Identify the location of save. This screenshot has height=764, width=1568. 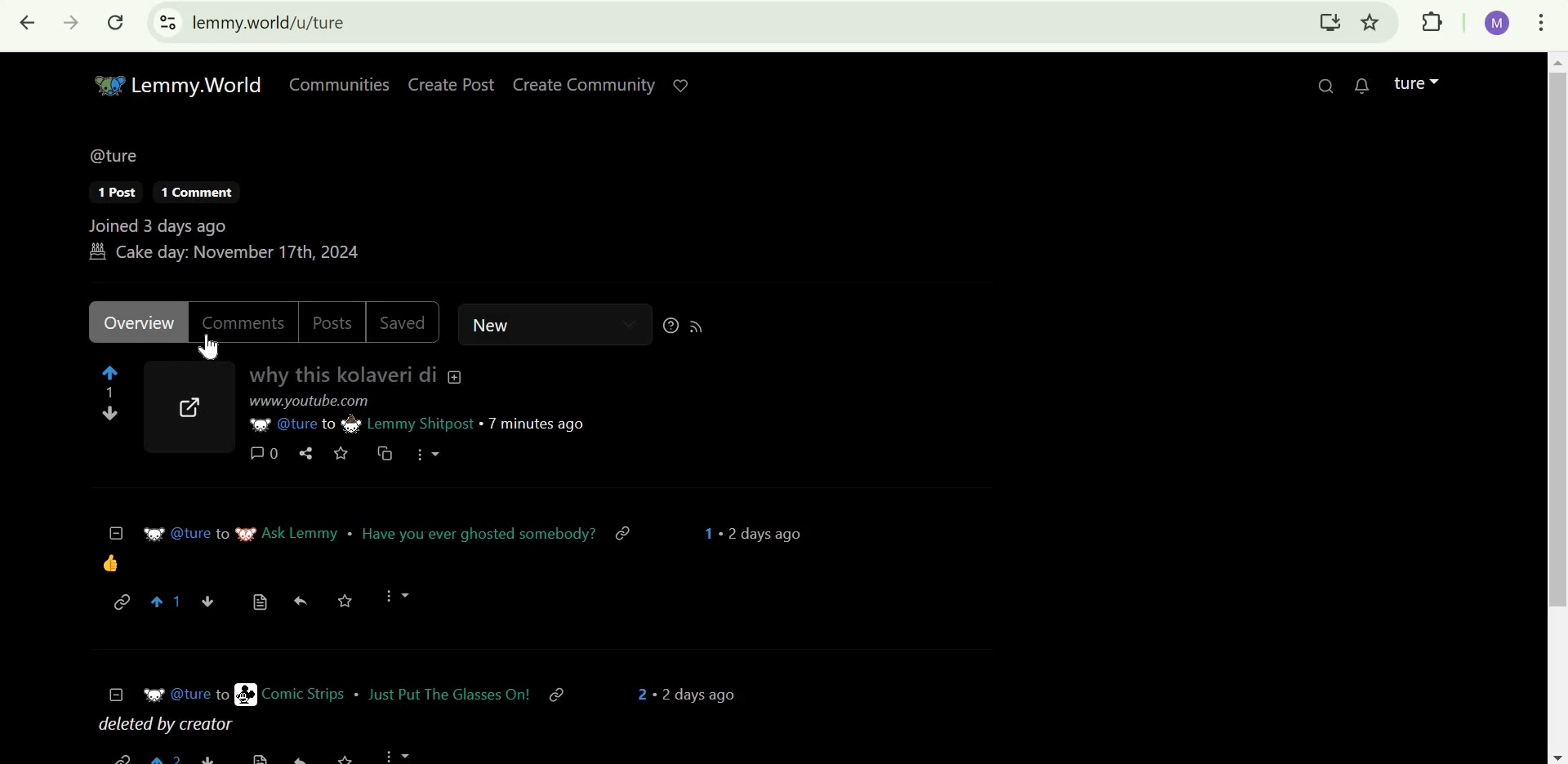
(341, 451).